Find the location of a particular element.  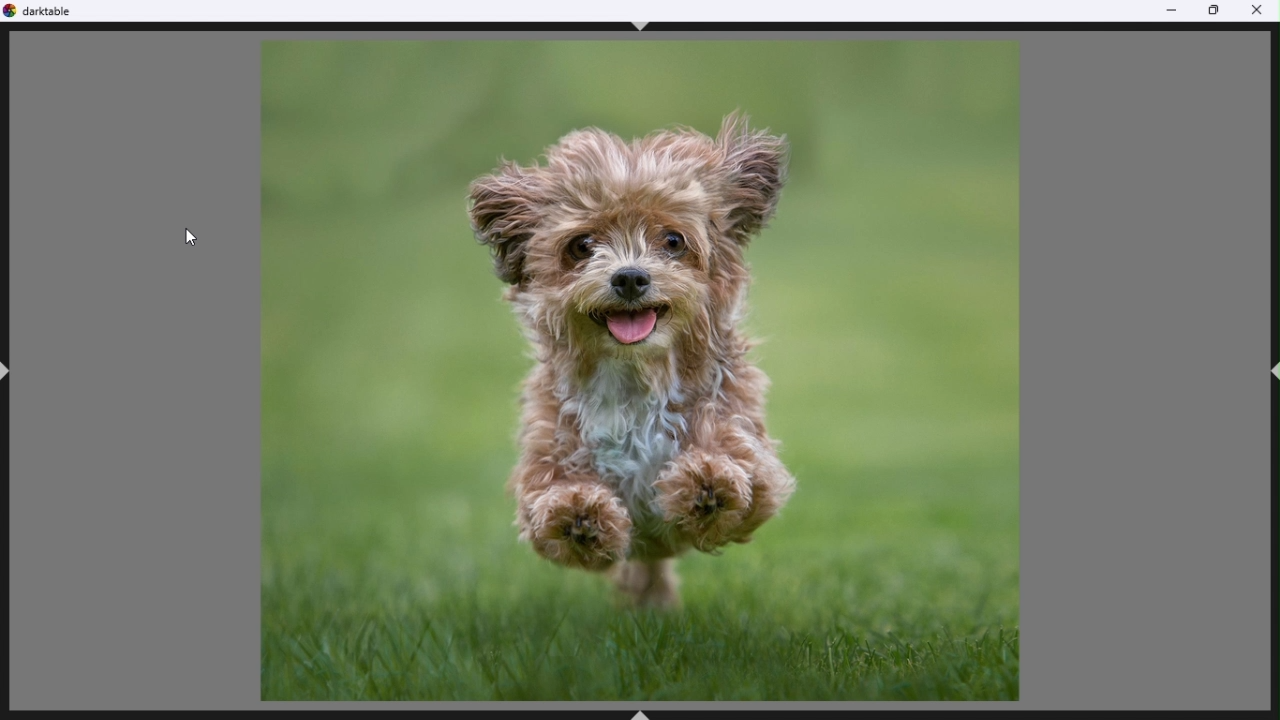

Minimise is located at coordinates (1172, 10).